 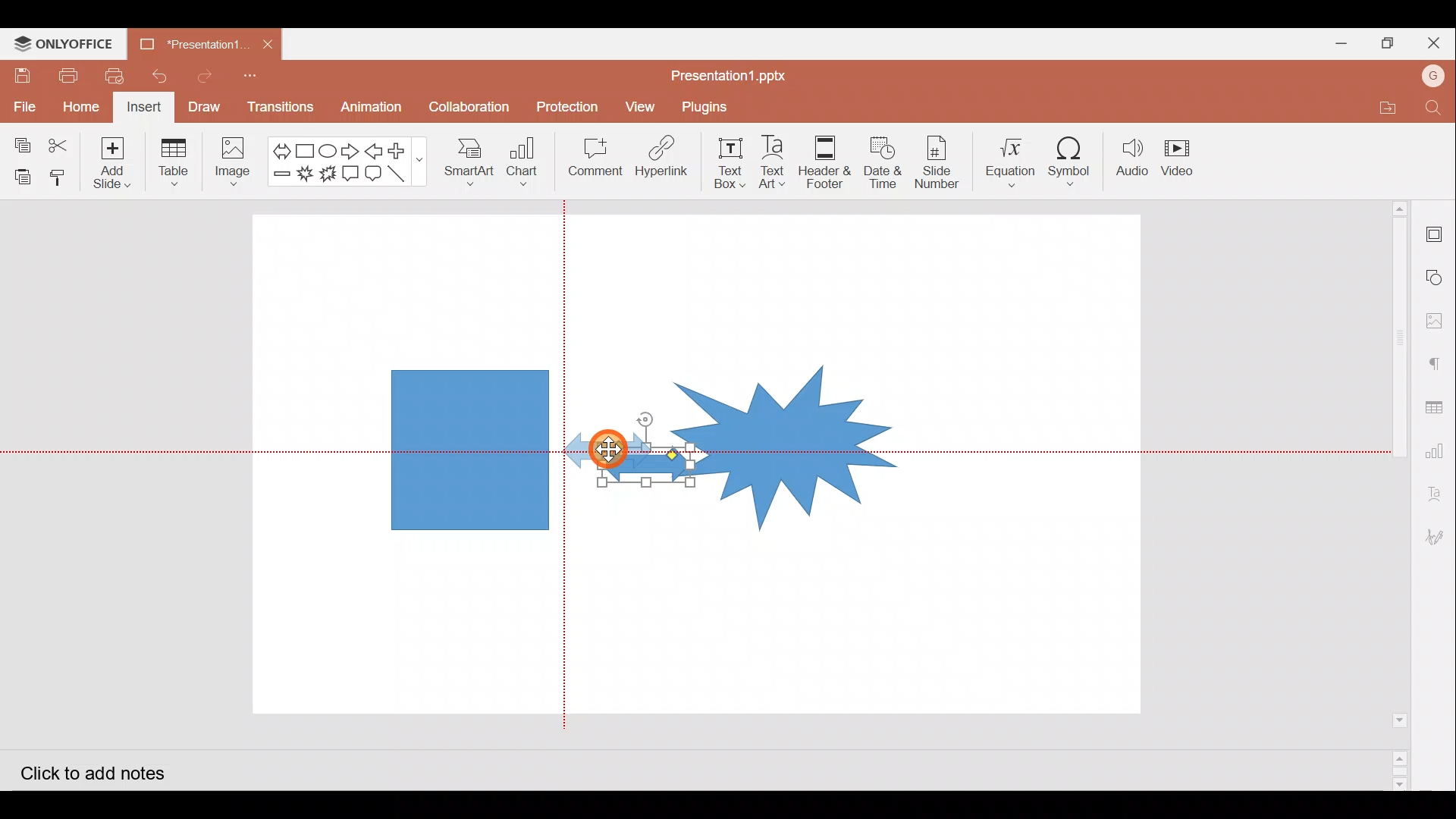 What do you see at coordinates (1433, 78) in the screenshot?
I see `Account name` at bounding box center [1433, 78].